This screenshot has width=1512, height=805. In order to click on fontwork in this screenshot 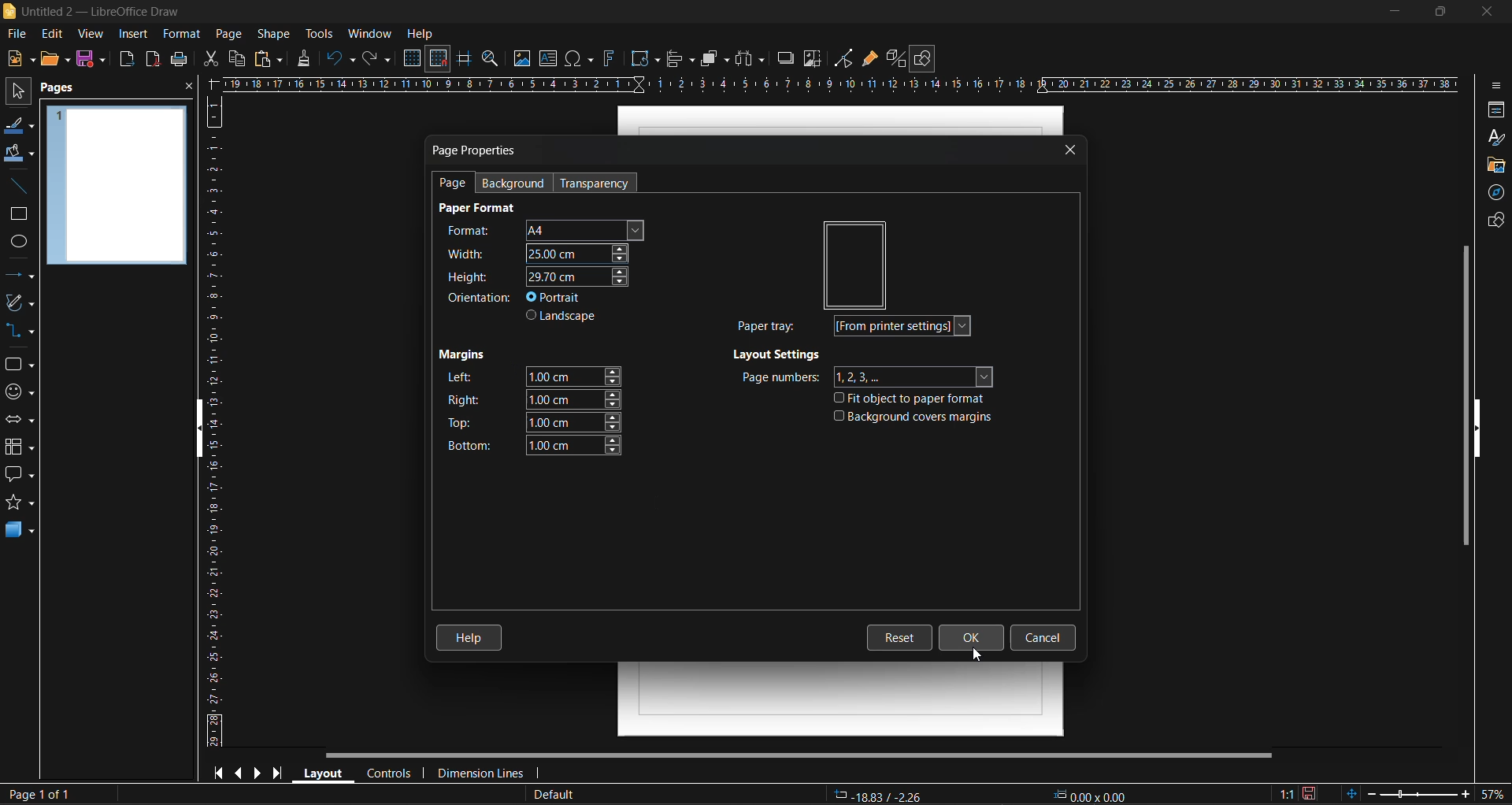, I will do `click(609, 61)`.